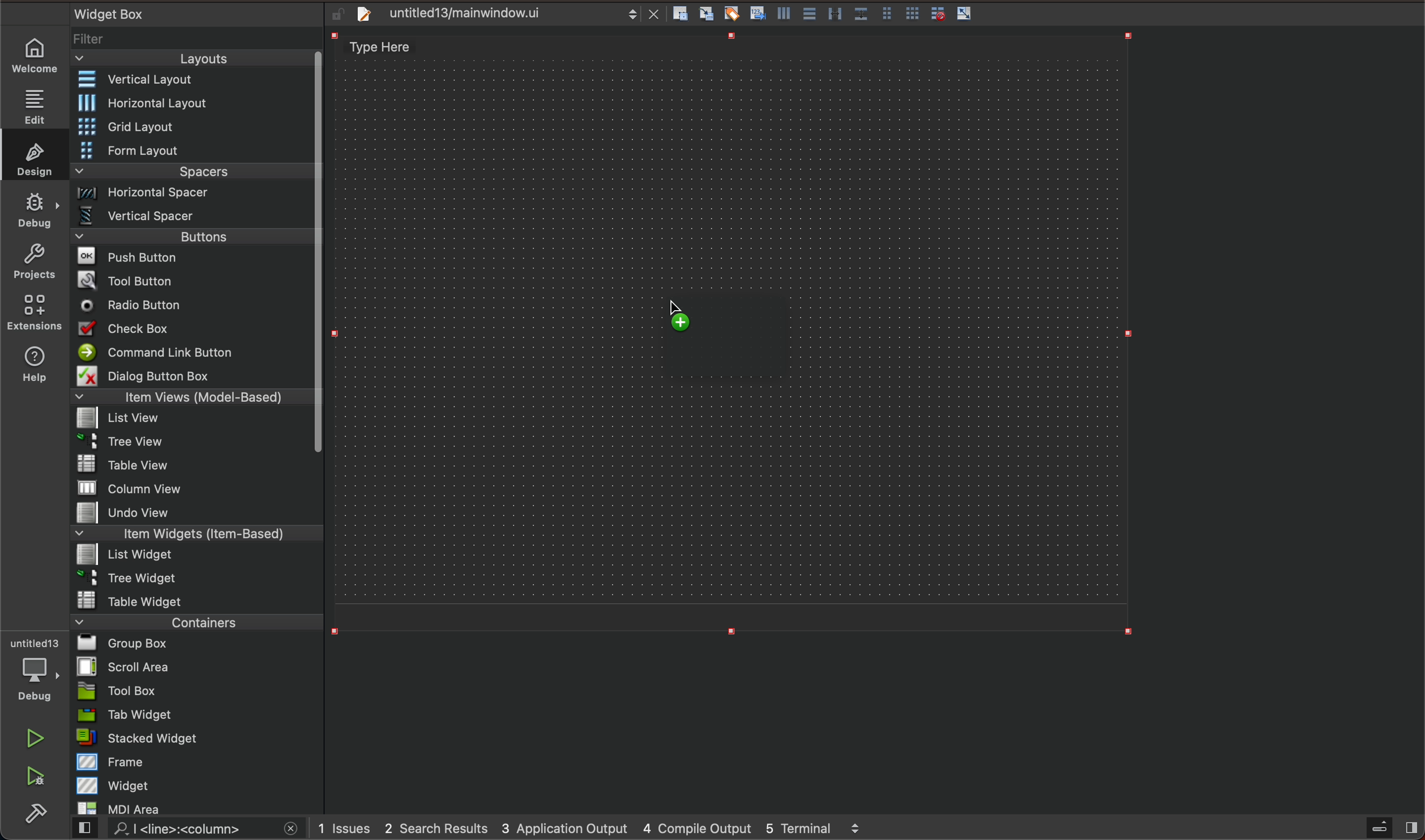  What do you see at coordinates (37, 775) in the screenshot?
I see `debug and run` at bounding box center [37, 775].